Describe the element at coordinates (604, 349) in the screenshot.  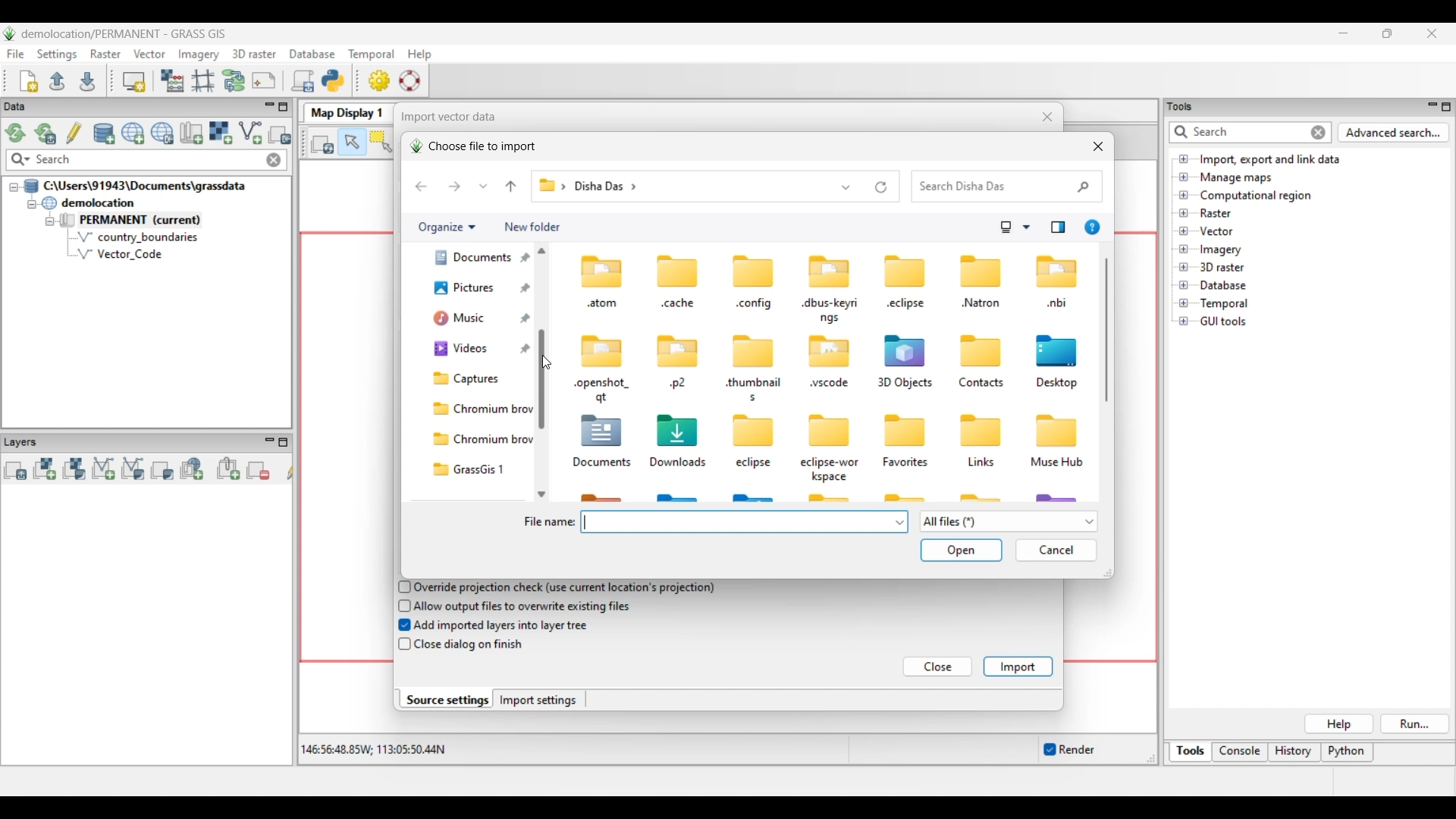
I see `icon` at that location.